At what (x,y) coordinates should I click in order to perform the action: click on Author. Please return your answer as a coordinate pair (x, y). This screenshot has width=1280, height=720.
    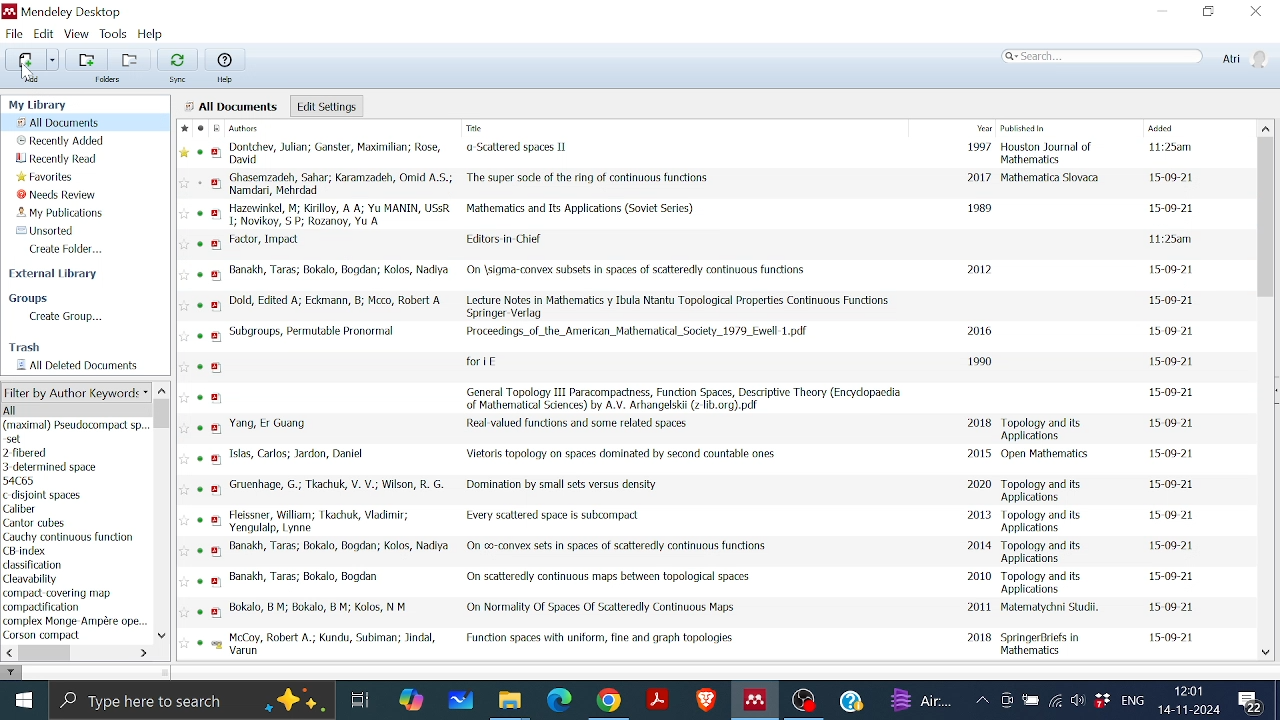
    Looking at the image, I should click on (341, 186).